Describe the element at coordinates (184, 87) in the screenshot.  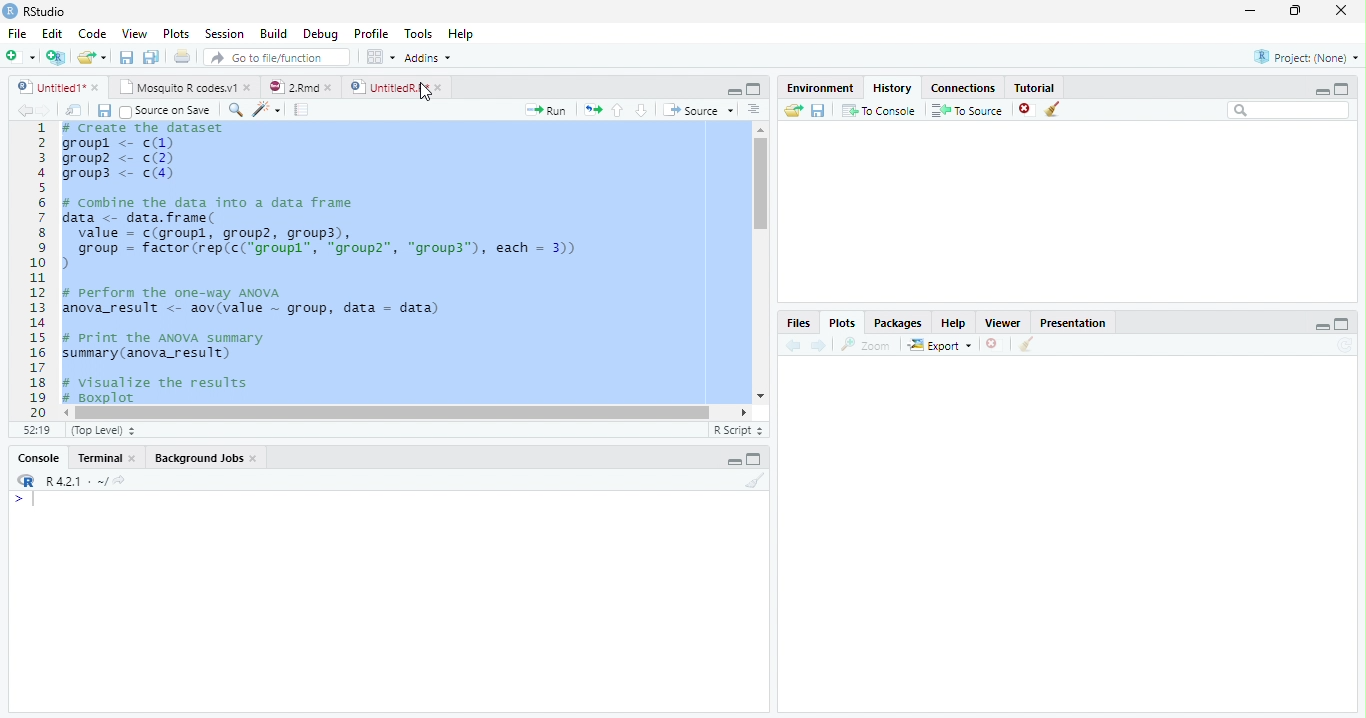
I see `Mosquito R codes` at that location.